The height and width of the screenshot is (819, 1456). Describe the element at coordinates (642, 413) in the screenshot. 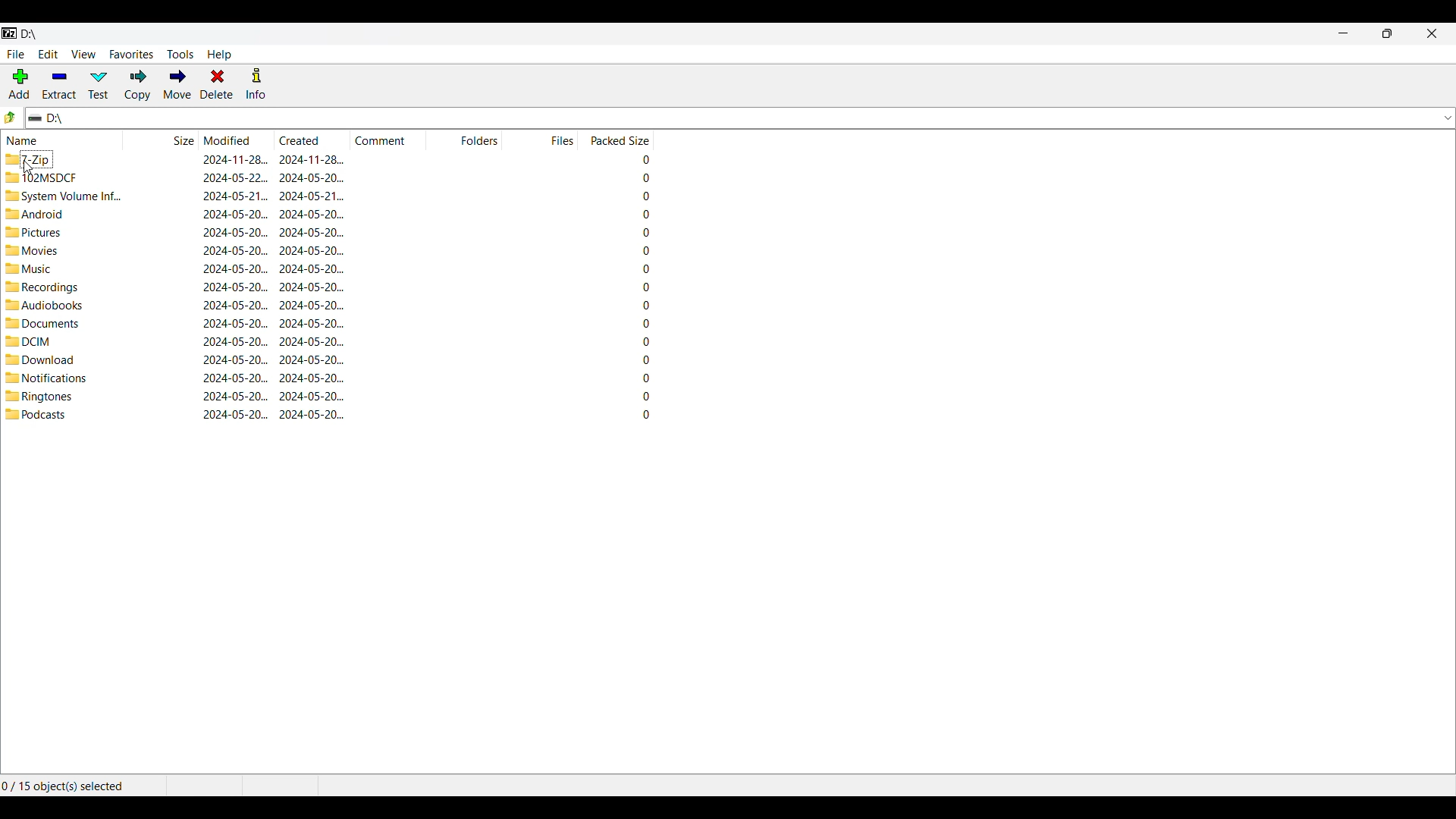

I see `packed size` at that location.